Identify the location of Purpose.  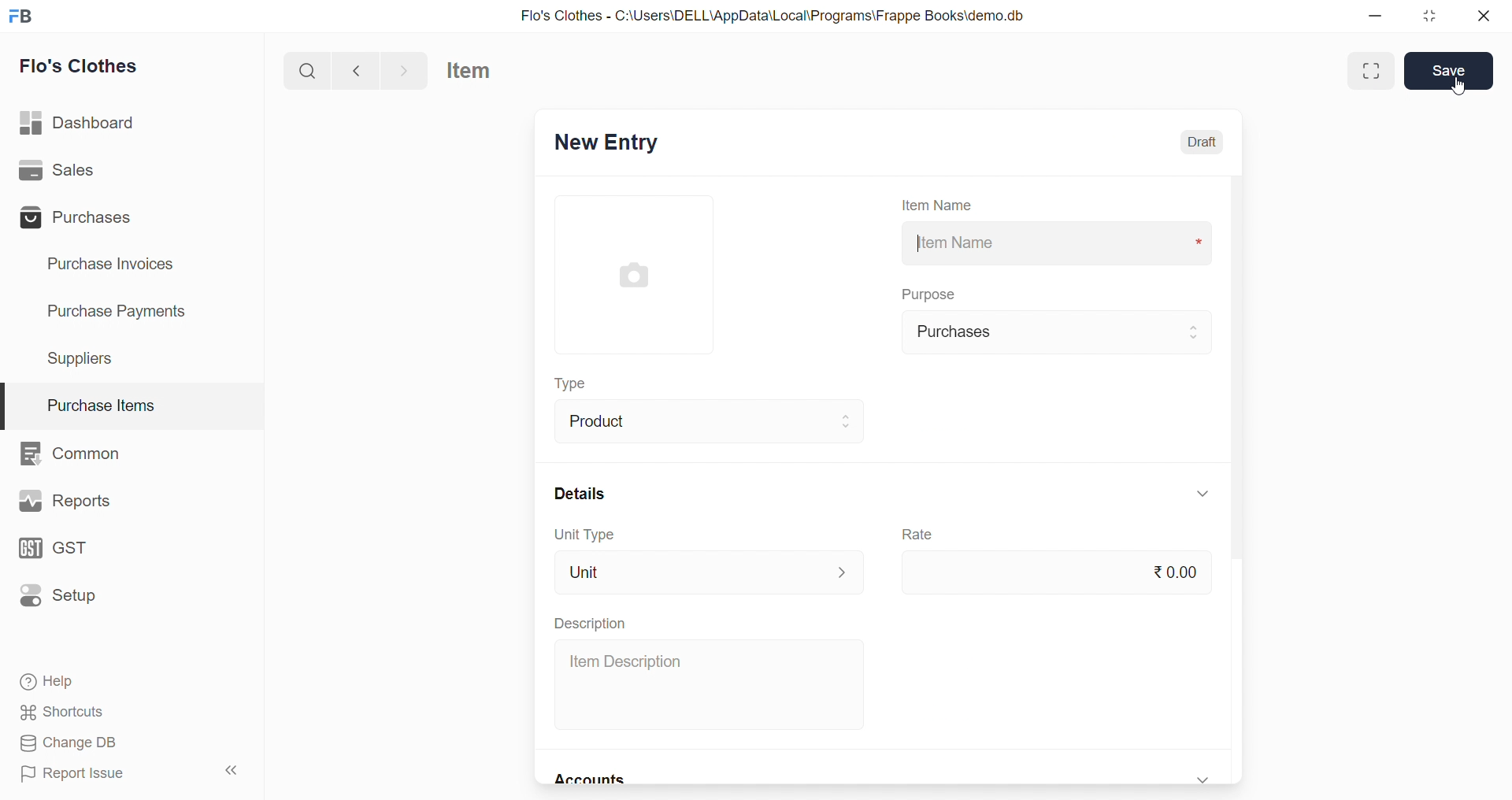
(932, 292).